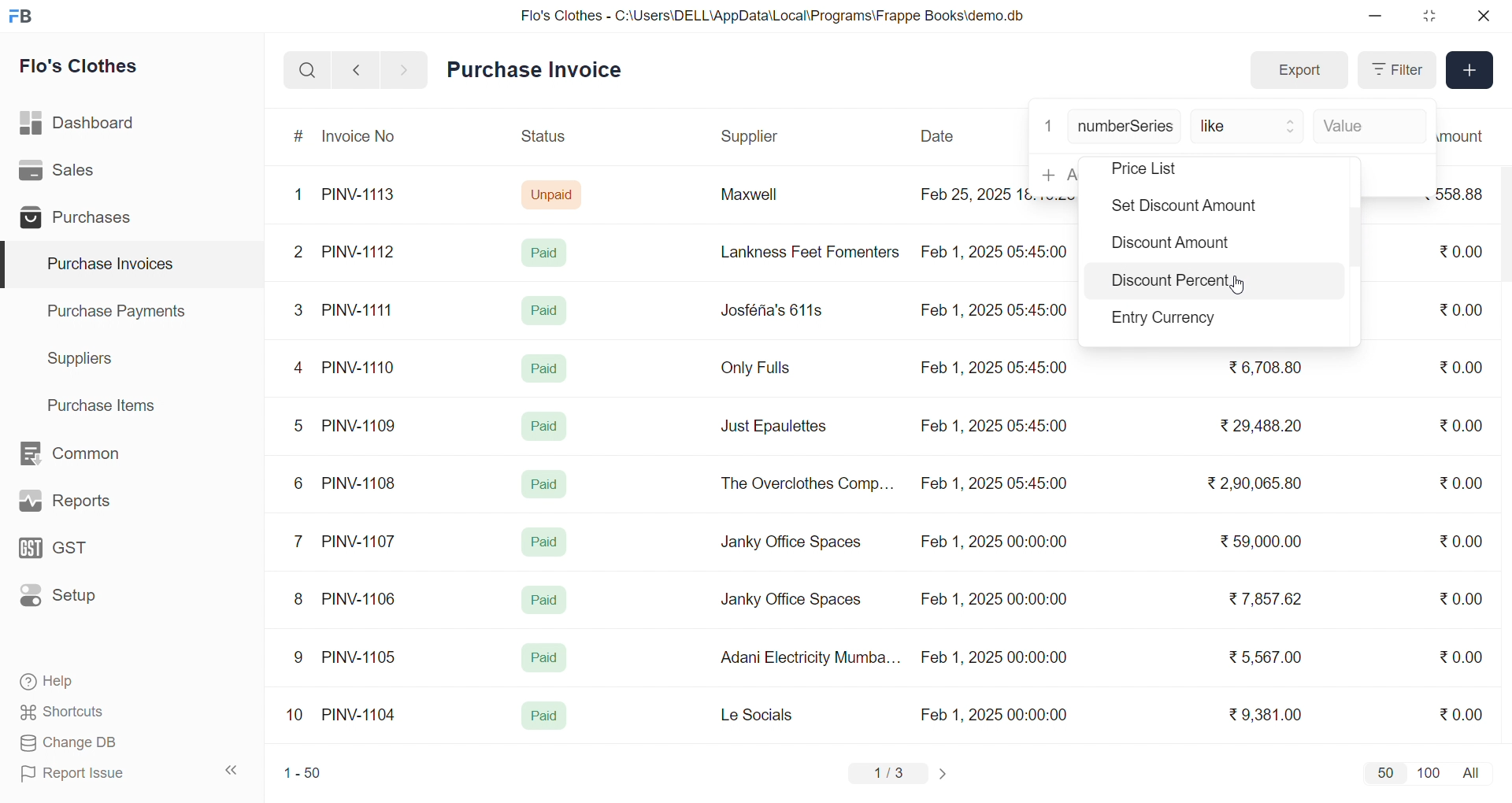 The height and width of the screenshot is (803, 1512). Describe the element at coordinates (545, 542) in the screenshot. I see `Paid` at that location.